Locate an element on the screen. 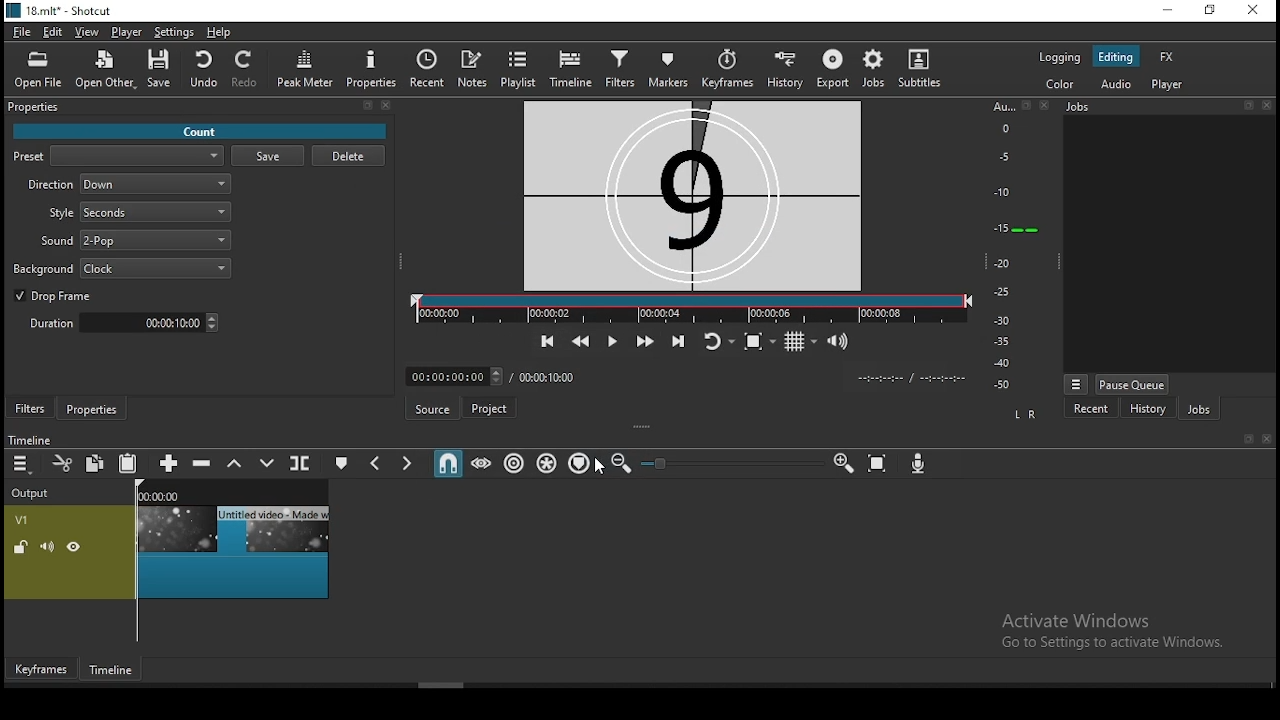 This screenshot has height=720, width=1280. filters is located at coordinates (198, 111).